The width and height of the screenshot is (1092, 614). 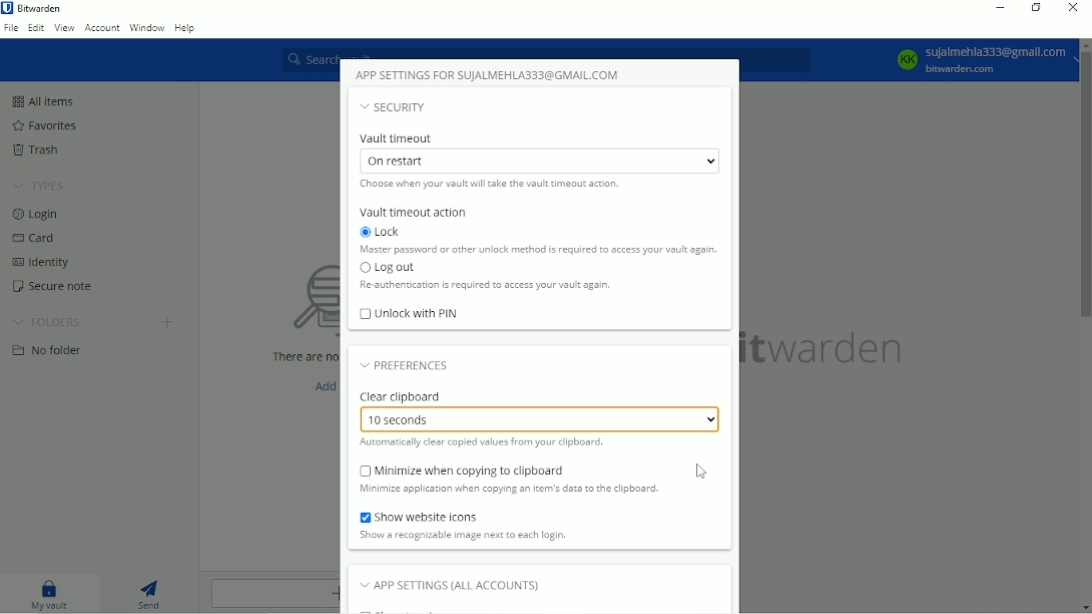 What do you see at coordinates (419, 517) in the screenshot?
I see `Show website icons` at bounding box center [419, 517].